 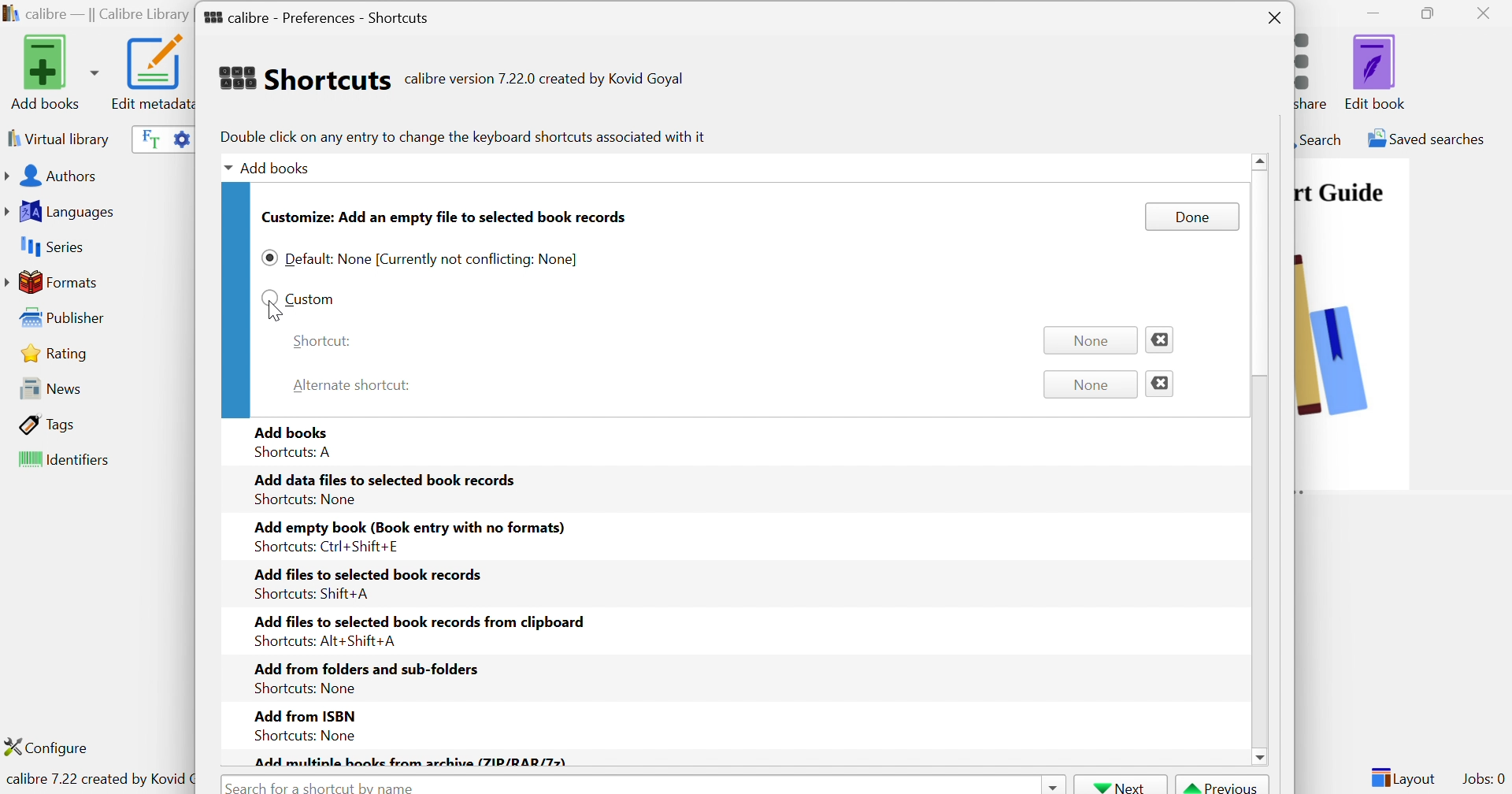 What do you see at coordinates (300, 735) in the screenshot?
I see `Shortcuts: None` at bounding box center [300, 735].